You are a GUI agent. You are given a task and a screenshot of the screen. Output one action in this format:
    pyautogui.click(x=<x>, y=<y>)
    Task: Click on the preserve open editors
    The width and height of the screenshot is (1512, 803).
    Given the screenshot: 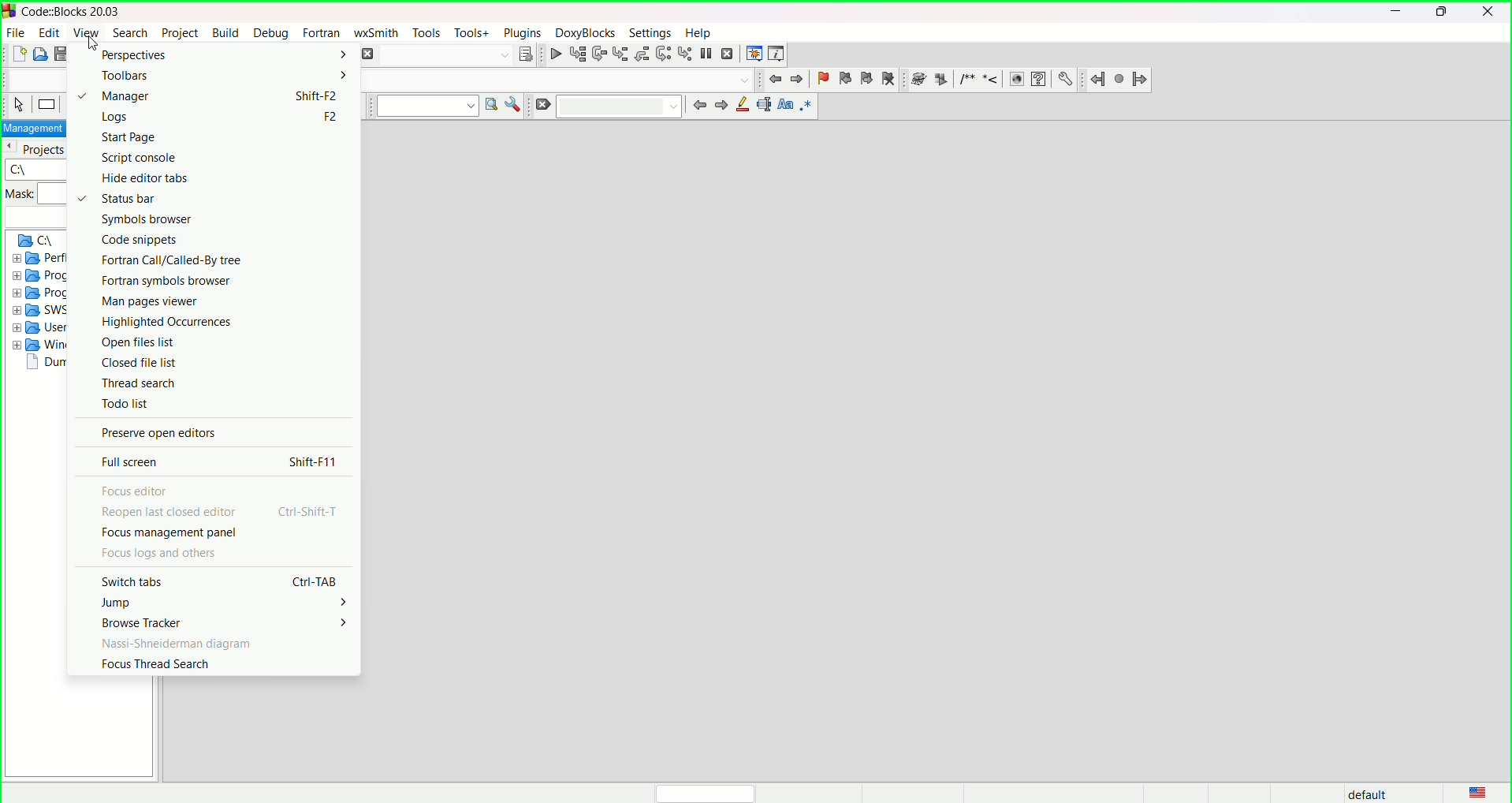 What is the action you would take?
    pyautogui.click(x=158, y=431)
    